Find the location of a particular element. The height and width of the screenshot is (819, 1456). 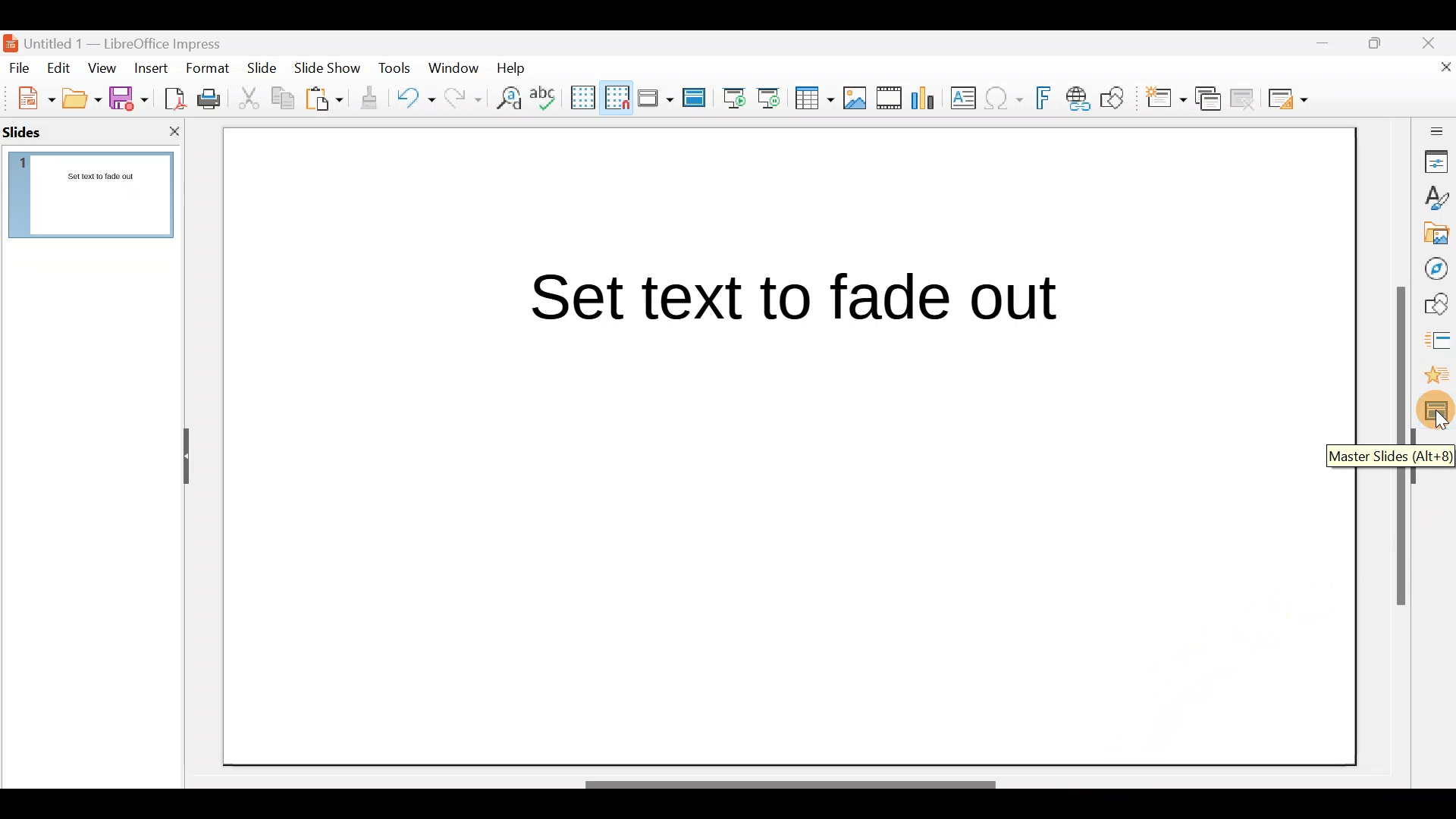

File is located at coordinates (20, 67).